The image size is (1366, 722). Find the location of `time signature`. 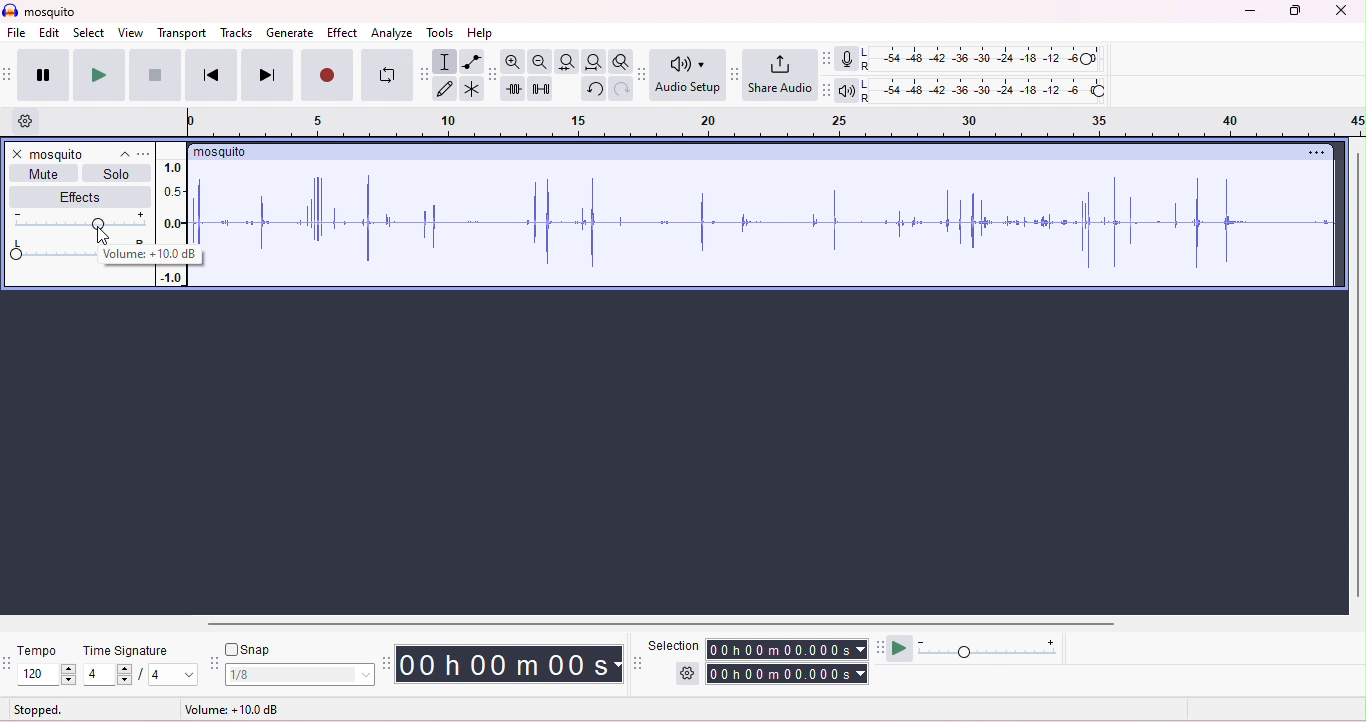

time signature is located at coordinates (126, 650).